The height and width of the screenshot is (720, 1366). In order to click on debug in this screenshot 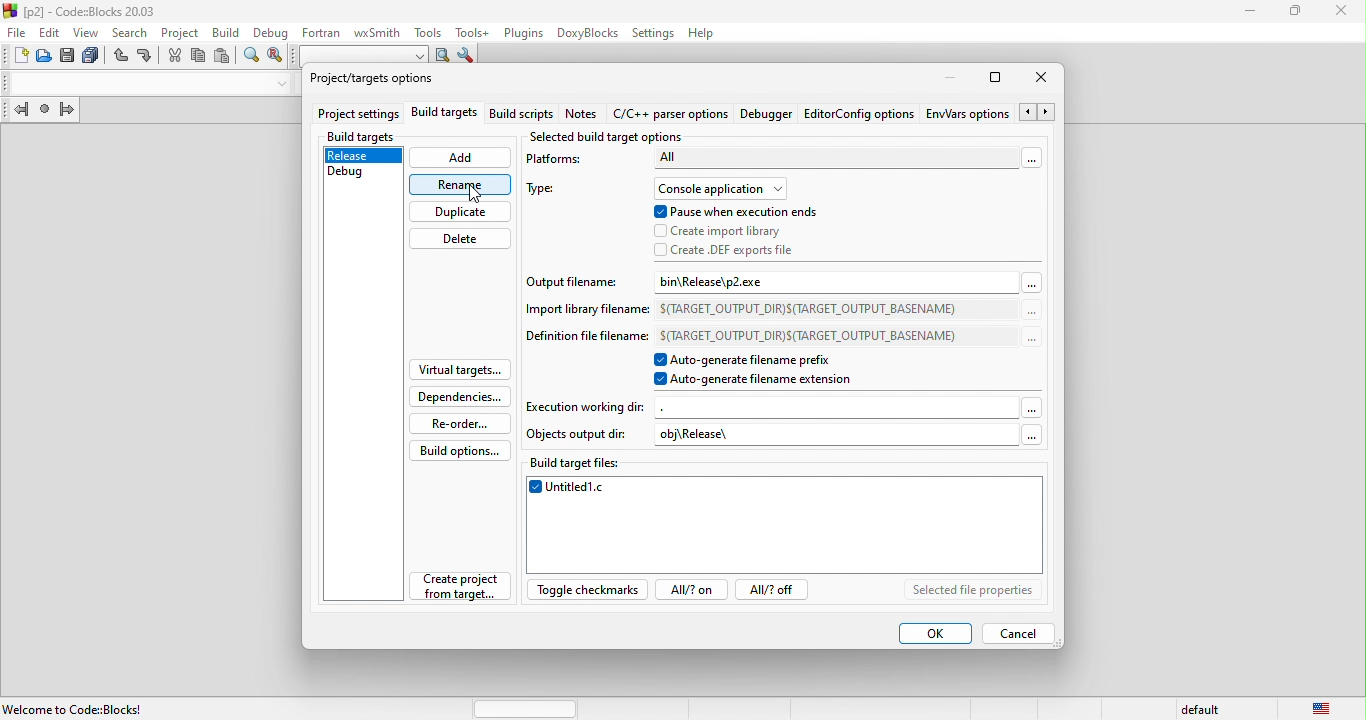, I will do `click(269, 31)`.